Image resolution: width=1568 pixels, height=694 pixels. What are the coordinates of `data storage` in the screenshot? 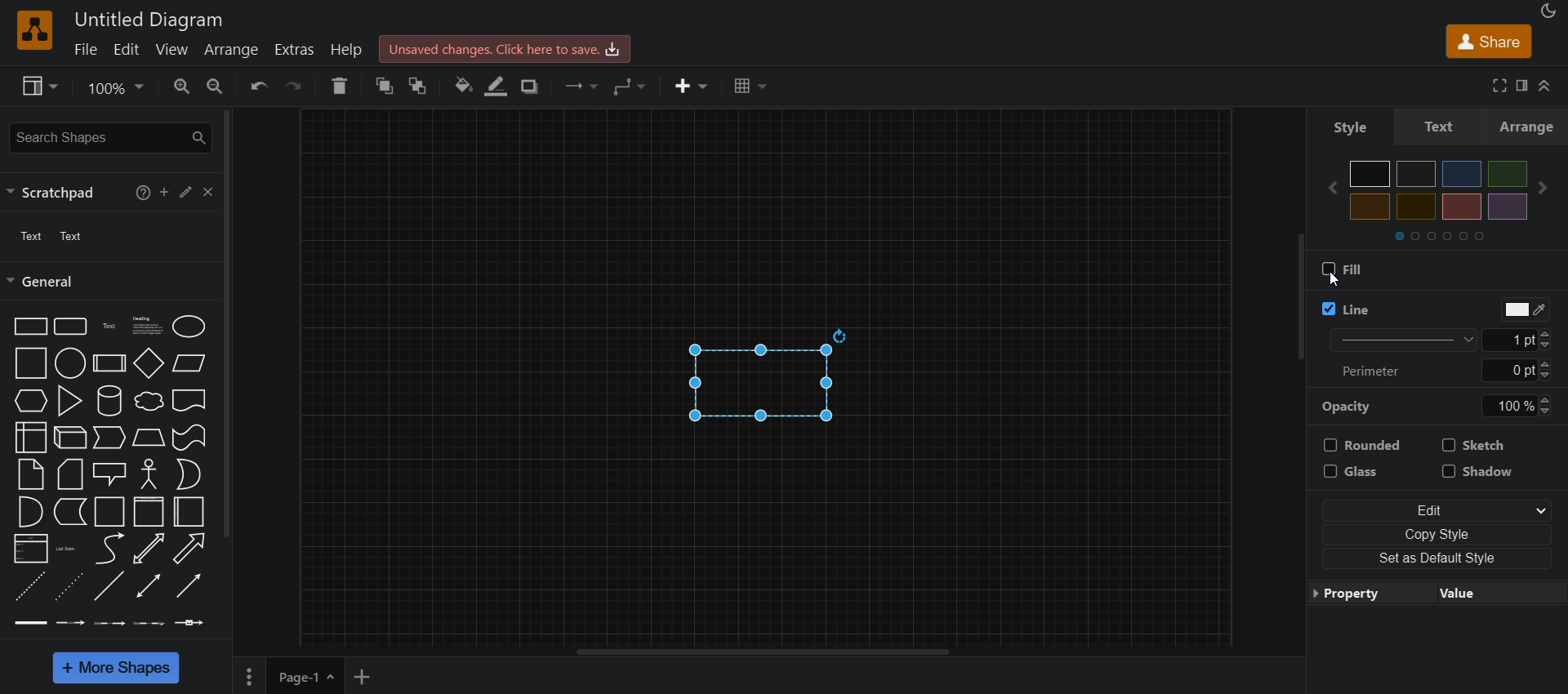 It's located at (70, 514).